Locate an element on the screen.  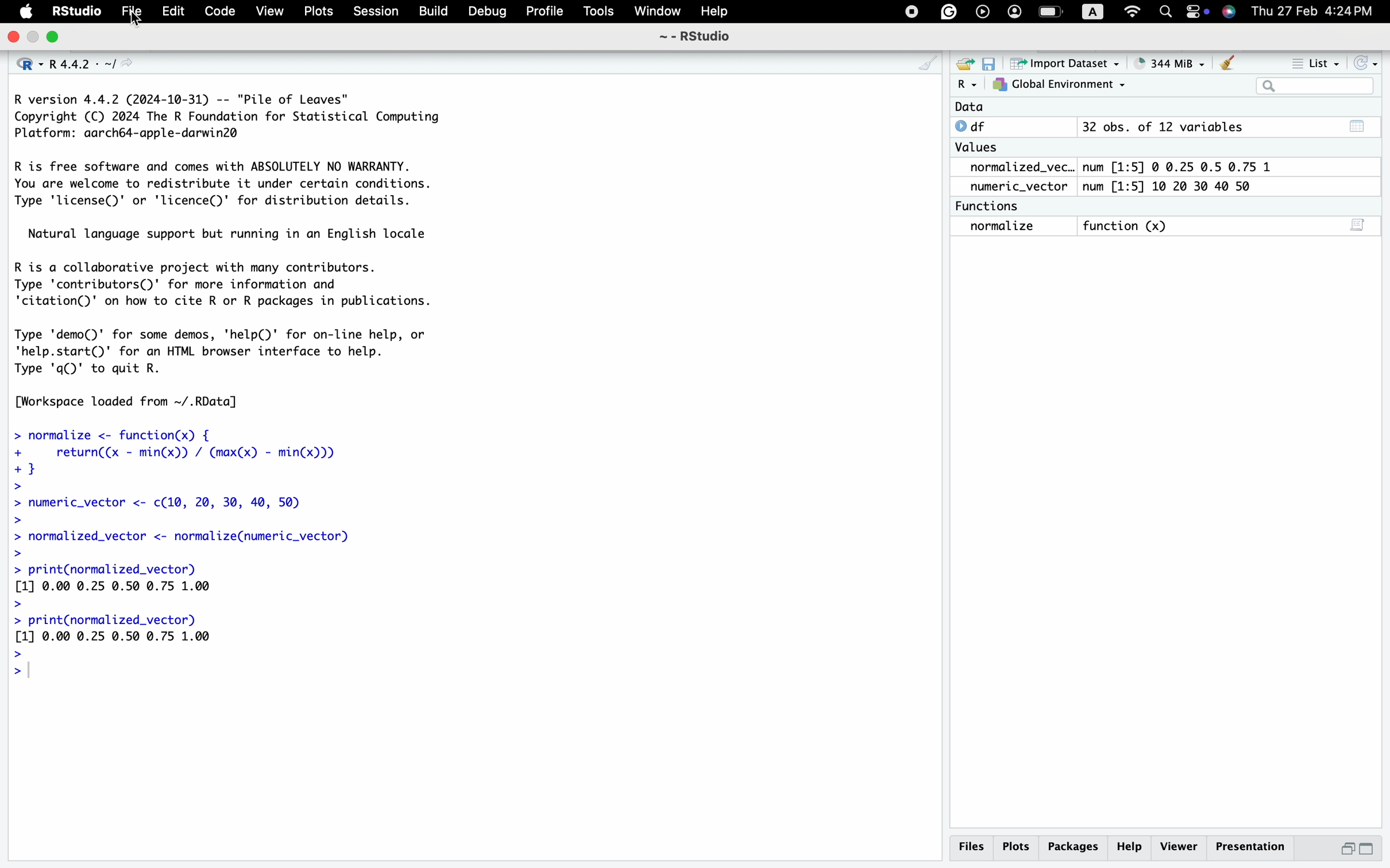
Plots is located at coordinates (1018, 849).